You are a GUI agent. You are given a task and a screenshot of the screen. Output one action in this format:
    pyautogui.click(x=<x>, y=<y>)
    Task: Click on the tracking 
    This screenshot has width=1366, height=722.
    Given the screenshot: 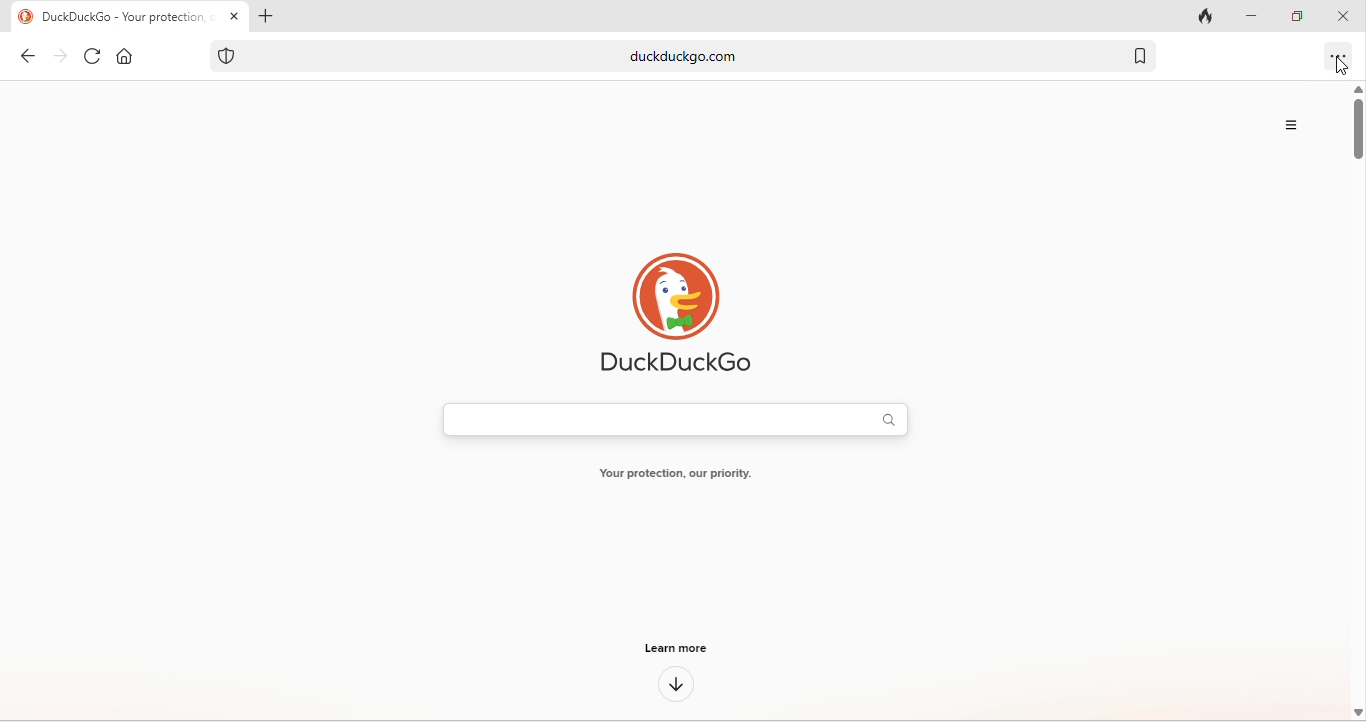 What is the action you would take?
    pyautogui.click(x=227, y=56)
    